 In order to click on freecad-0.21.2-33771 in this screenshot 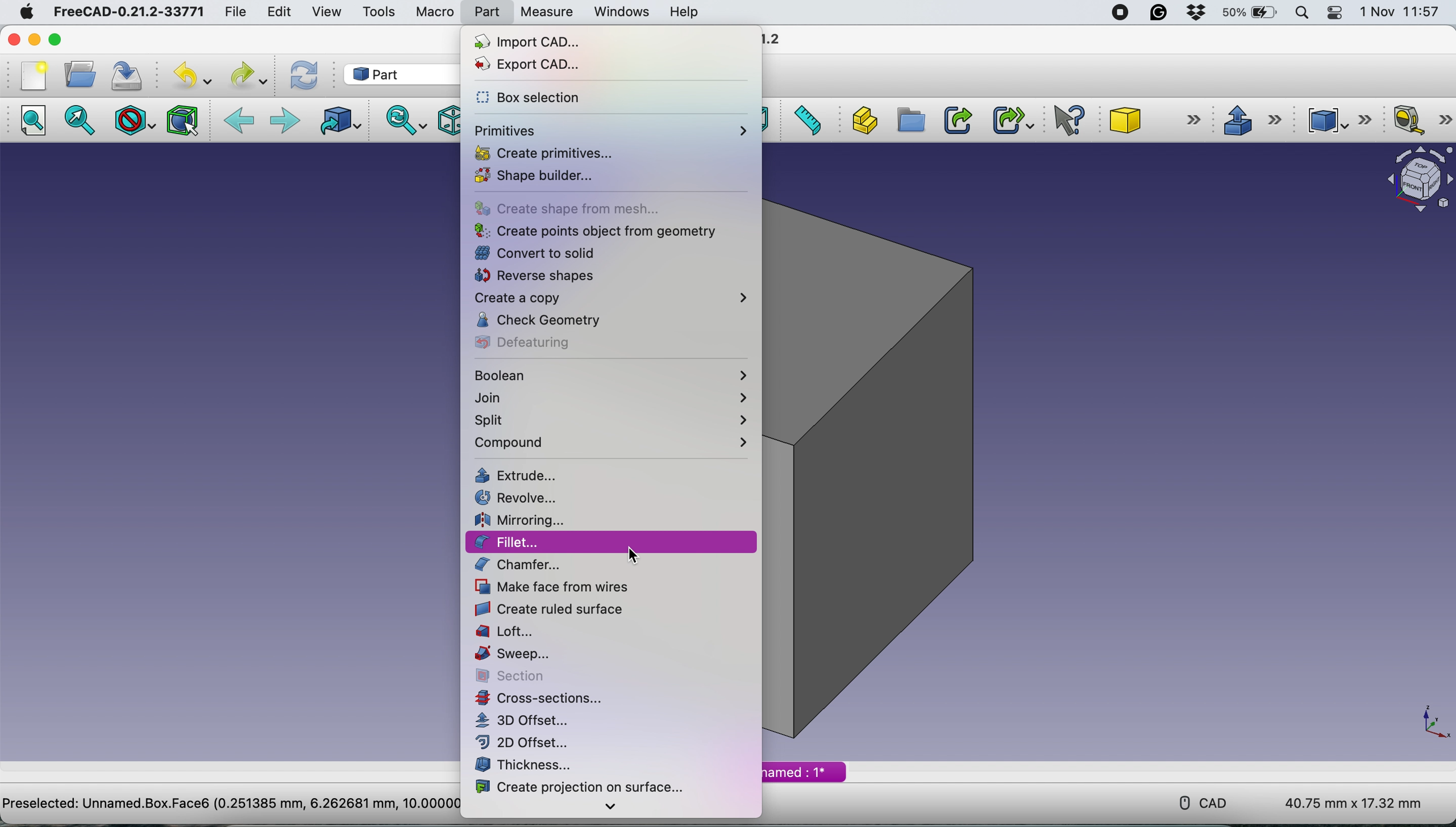, I will do `click(125, 12)`.